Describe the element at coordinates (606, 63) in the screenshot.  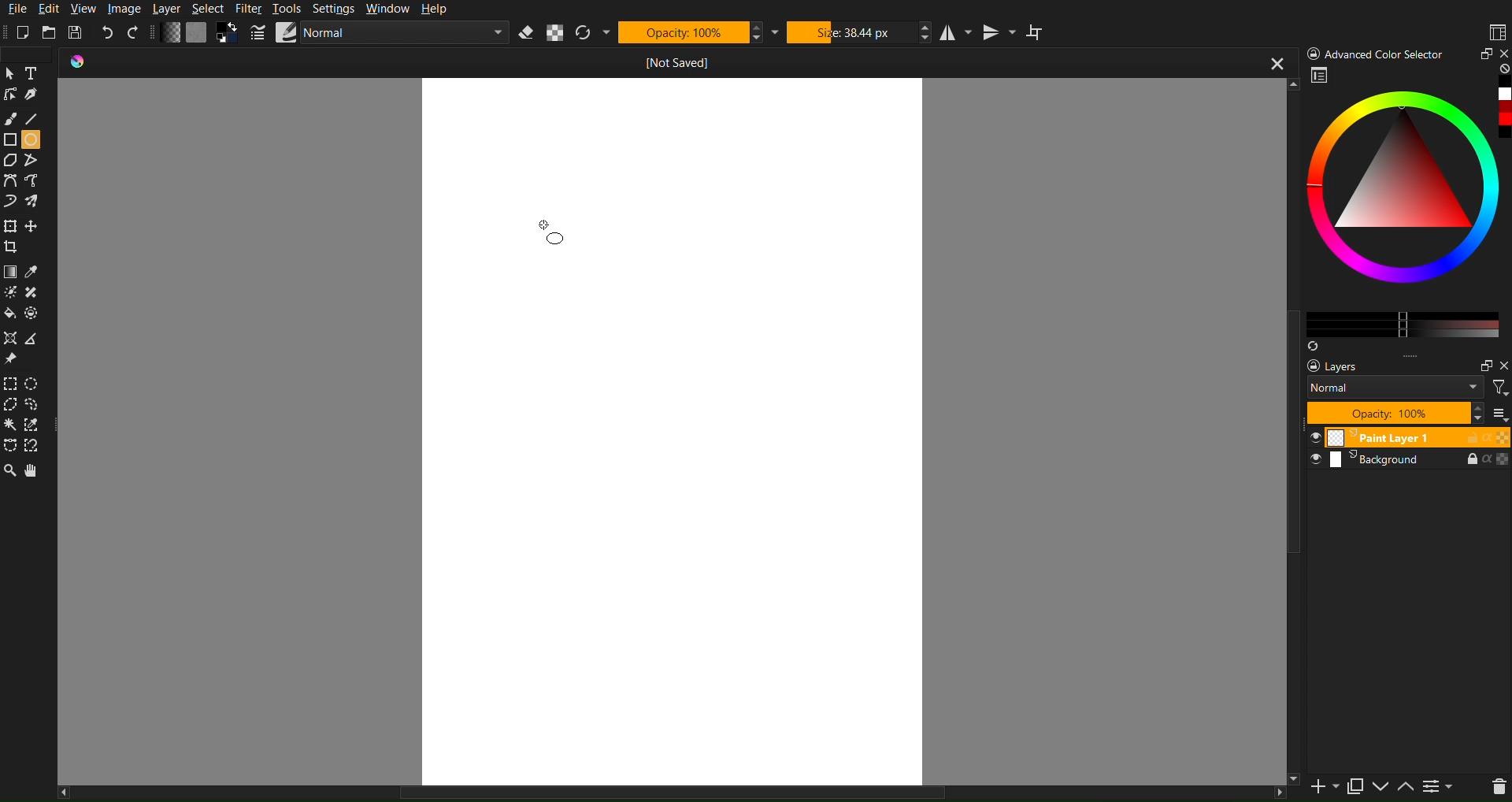
I see `Current Document` at that location.